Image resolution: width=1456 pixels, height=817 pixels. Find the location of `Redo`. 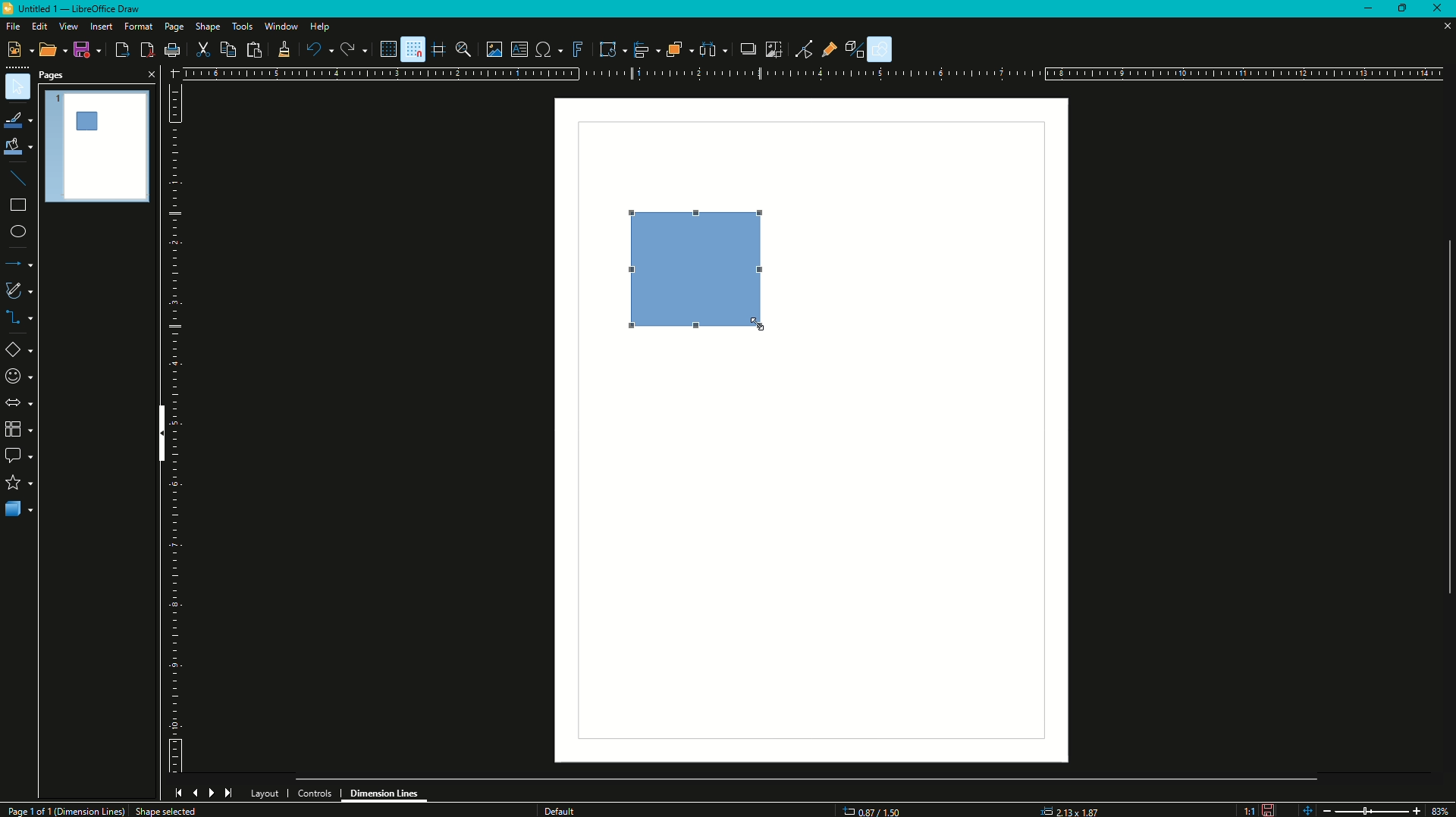

Redo is located at coordinates (353, 50).